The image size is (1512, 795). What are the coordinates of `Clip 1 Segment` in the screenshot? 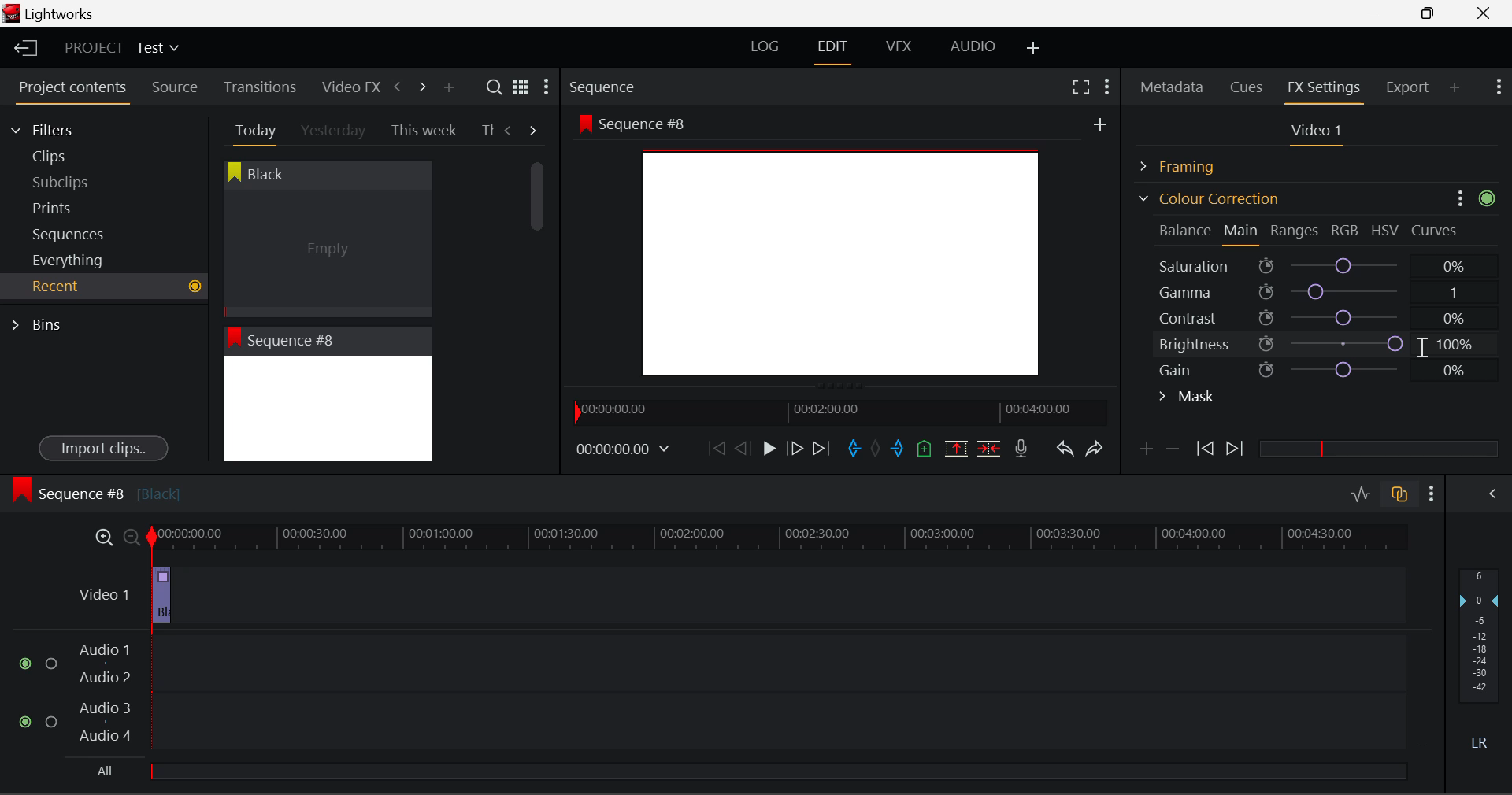 It's located at (160, 596).